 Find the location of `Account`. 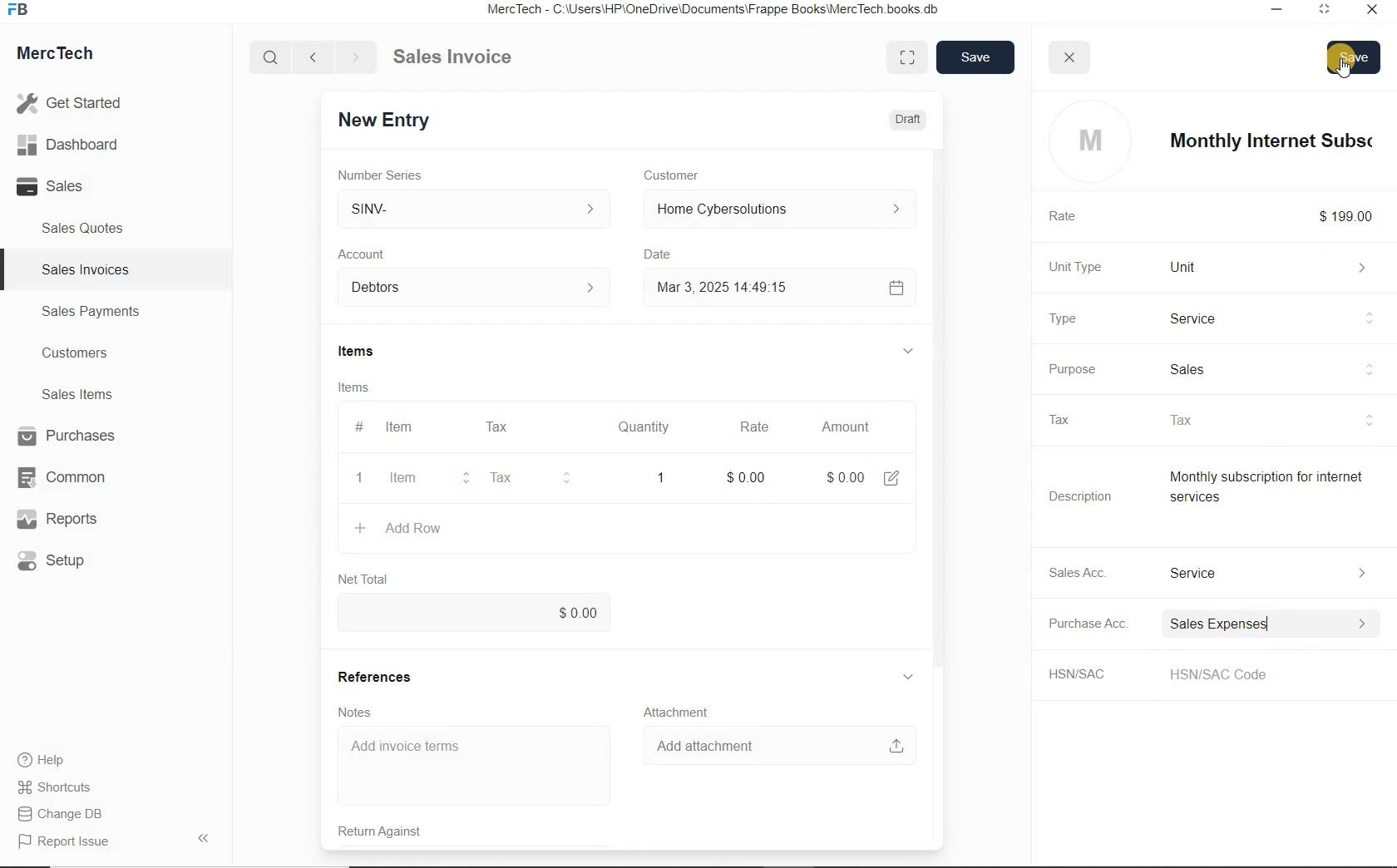

Account is located at coordinates (367, 254).